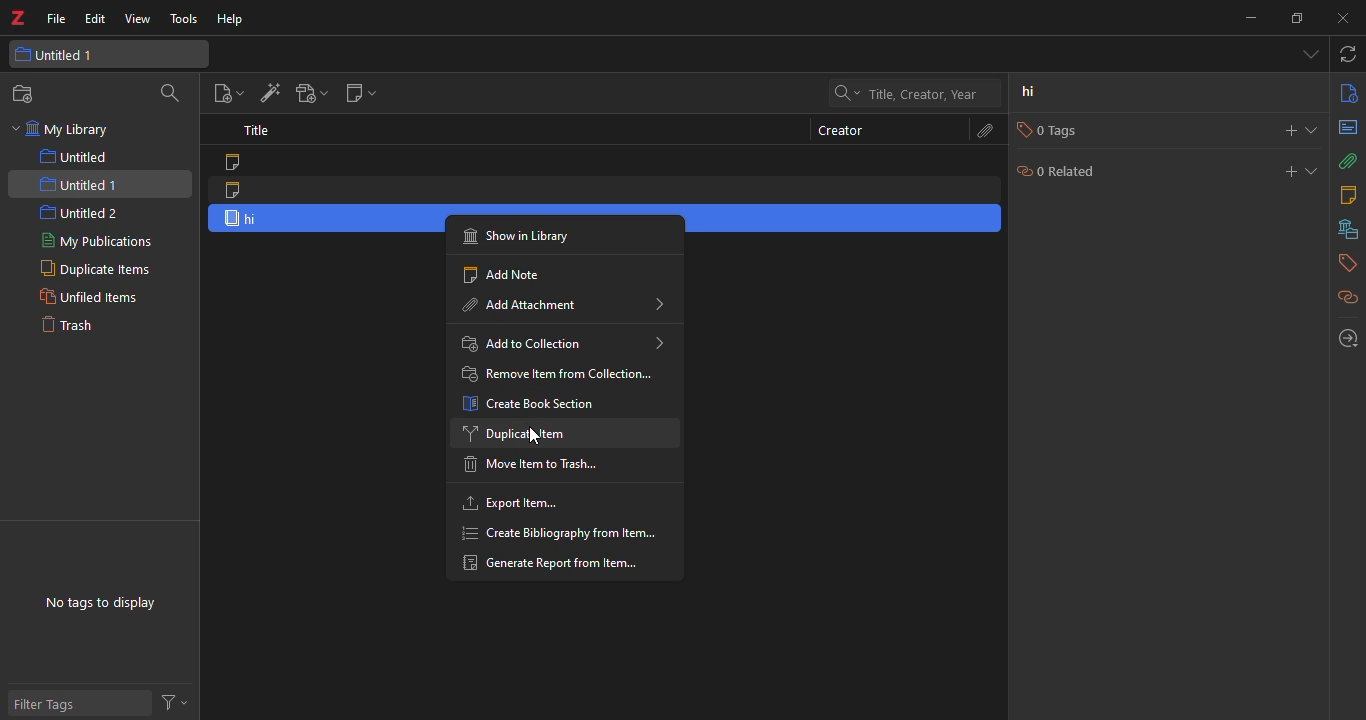 The height and width of the screenshot is (720, 1366). Describe the element at coordinates (541, 403) in the screenshot. I see `create book section` at that location.